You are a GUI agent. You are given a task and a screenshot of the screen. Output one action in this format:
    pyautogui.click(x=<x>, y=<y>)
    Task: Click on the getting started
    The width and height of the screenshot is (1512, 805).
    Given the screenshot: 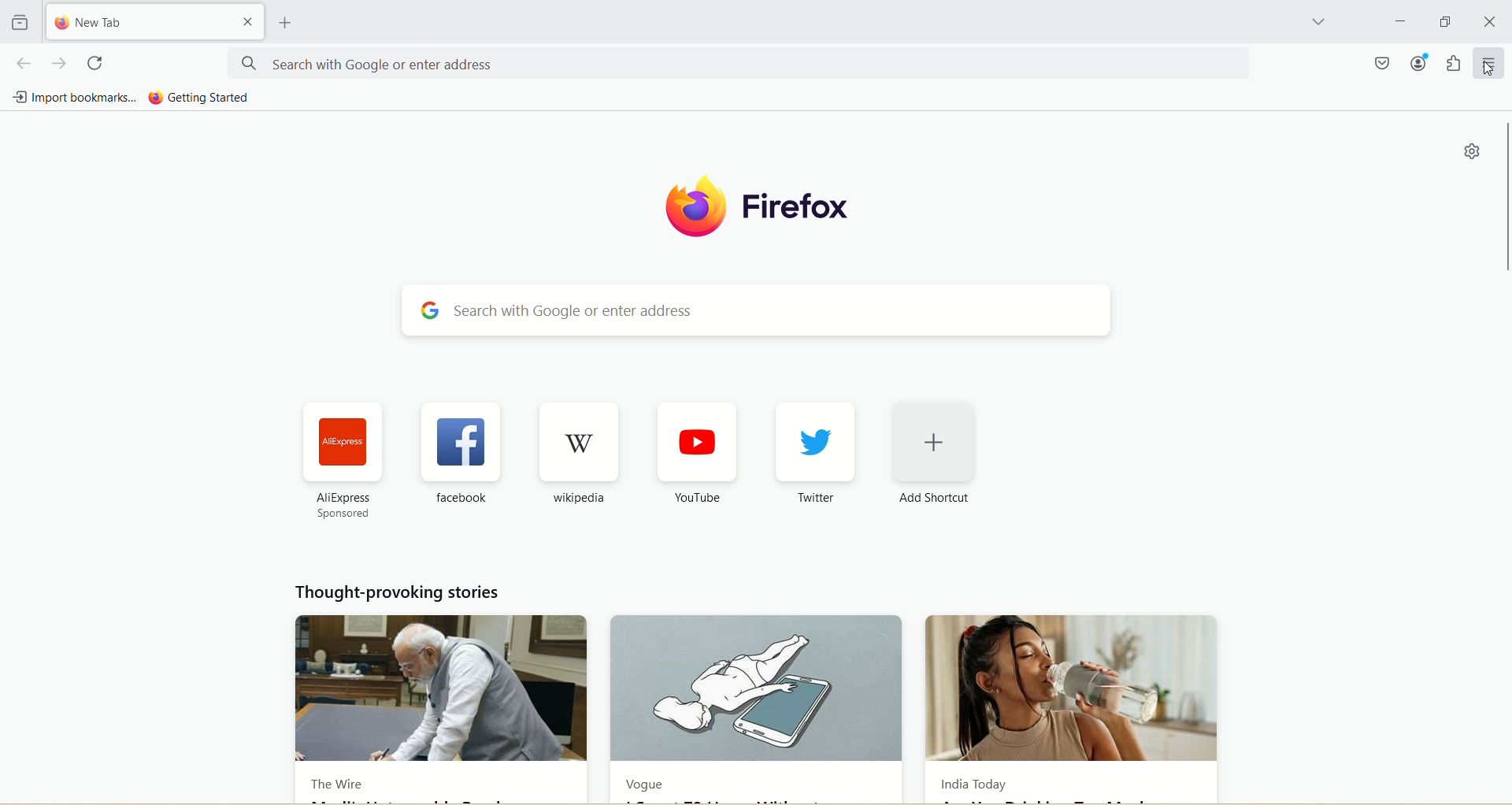 What is the action you would take?
    pyautogui.click(x=204, y=98)
    